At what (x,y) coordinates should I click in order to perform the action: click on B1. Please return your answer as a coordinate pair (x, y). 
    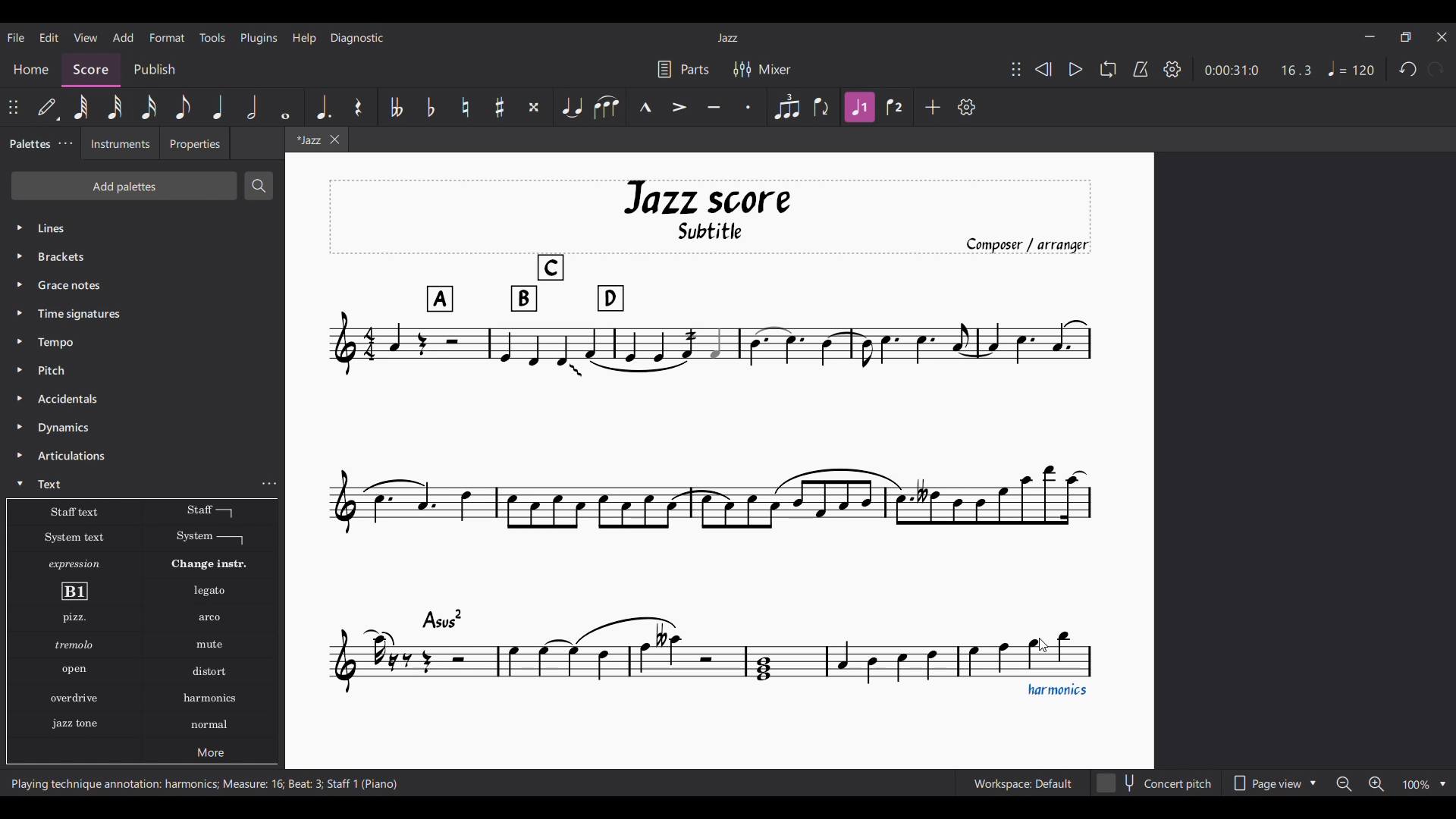
    Looking at the image, I should click on (74, 591).